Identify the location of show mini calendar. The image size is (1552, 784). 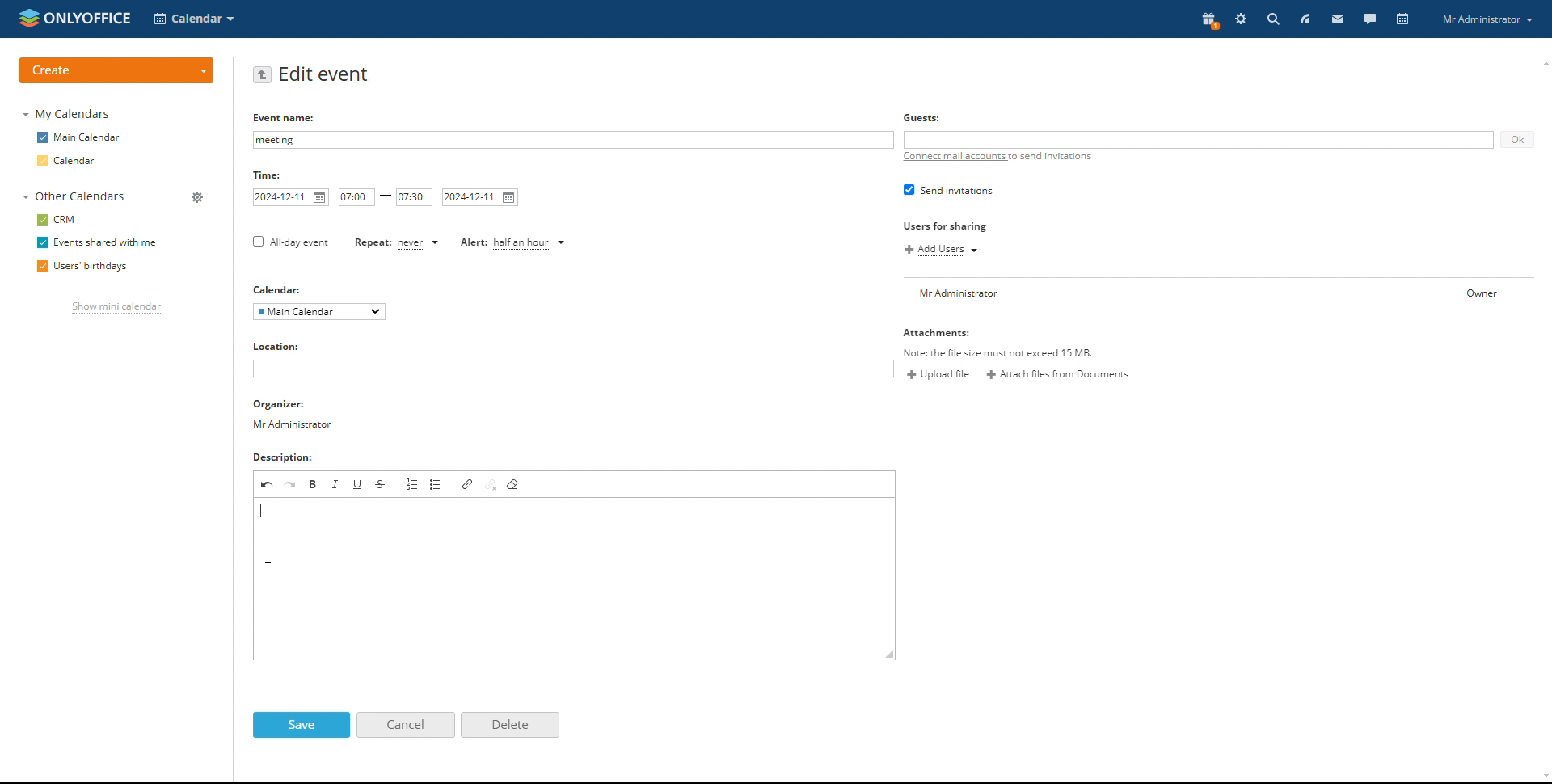
(116, 309).